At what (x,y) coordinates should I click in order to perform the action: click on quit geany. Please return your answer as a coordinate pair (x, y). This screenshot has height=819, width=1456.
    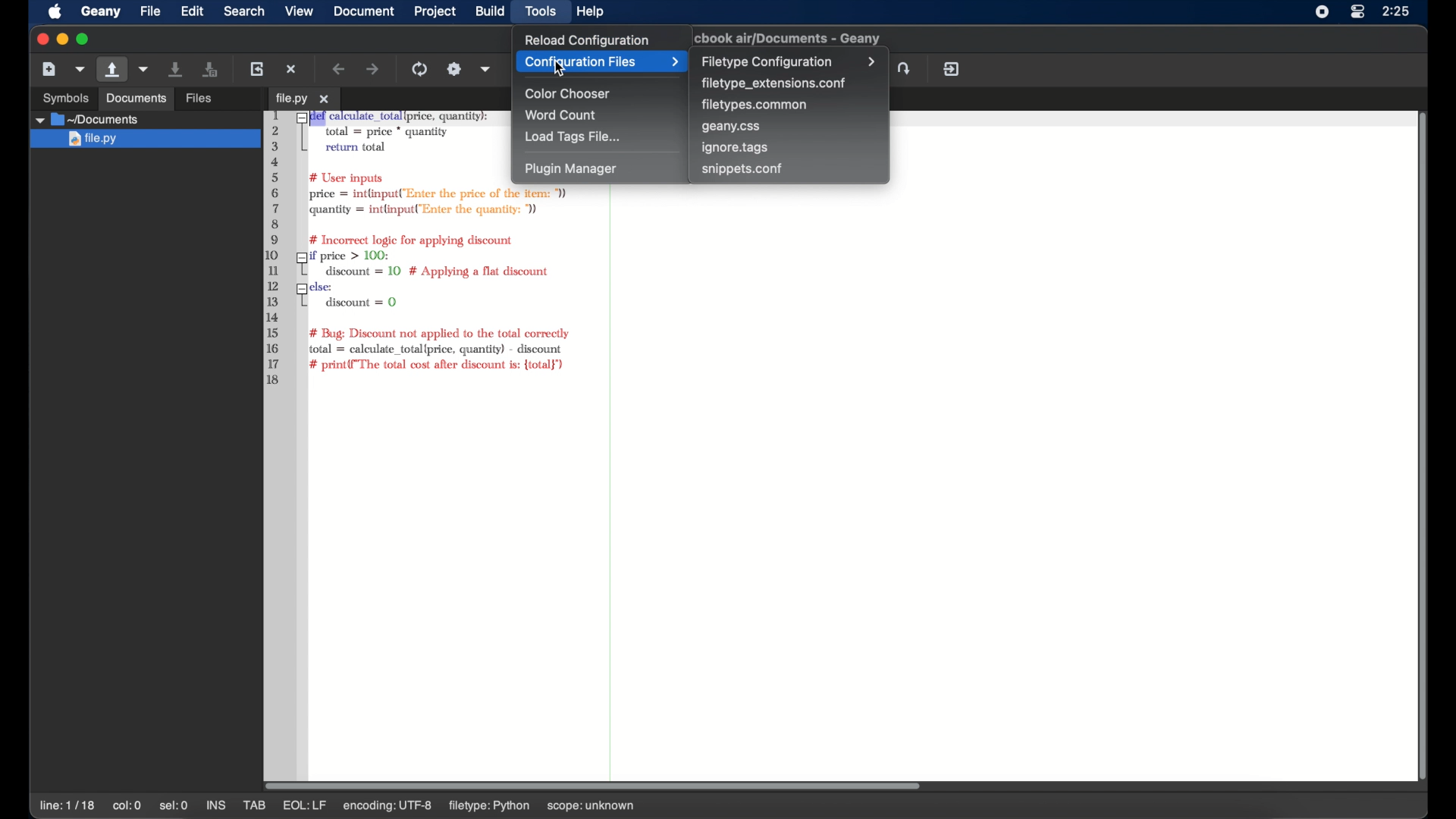
    Looking at the image, I should click on (952, 69).